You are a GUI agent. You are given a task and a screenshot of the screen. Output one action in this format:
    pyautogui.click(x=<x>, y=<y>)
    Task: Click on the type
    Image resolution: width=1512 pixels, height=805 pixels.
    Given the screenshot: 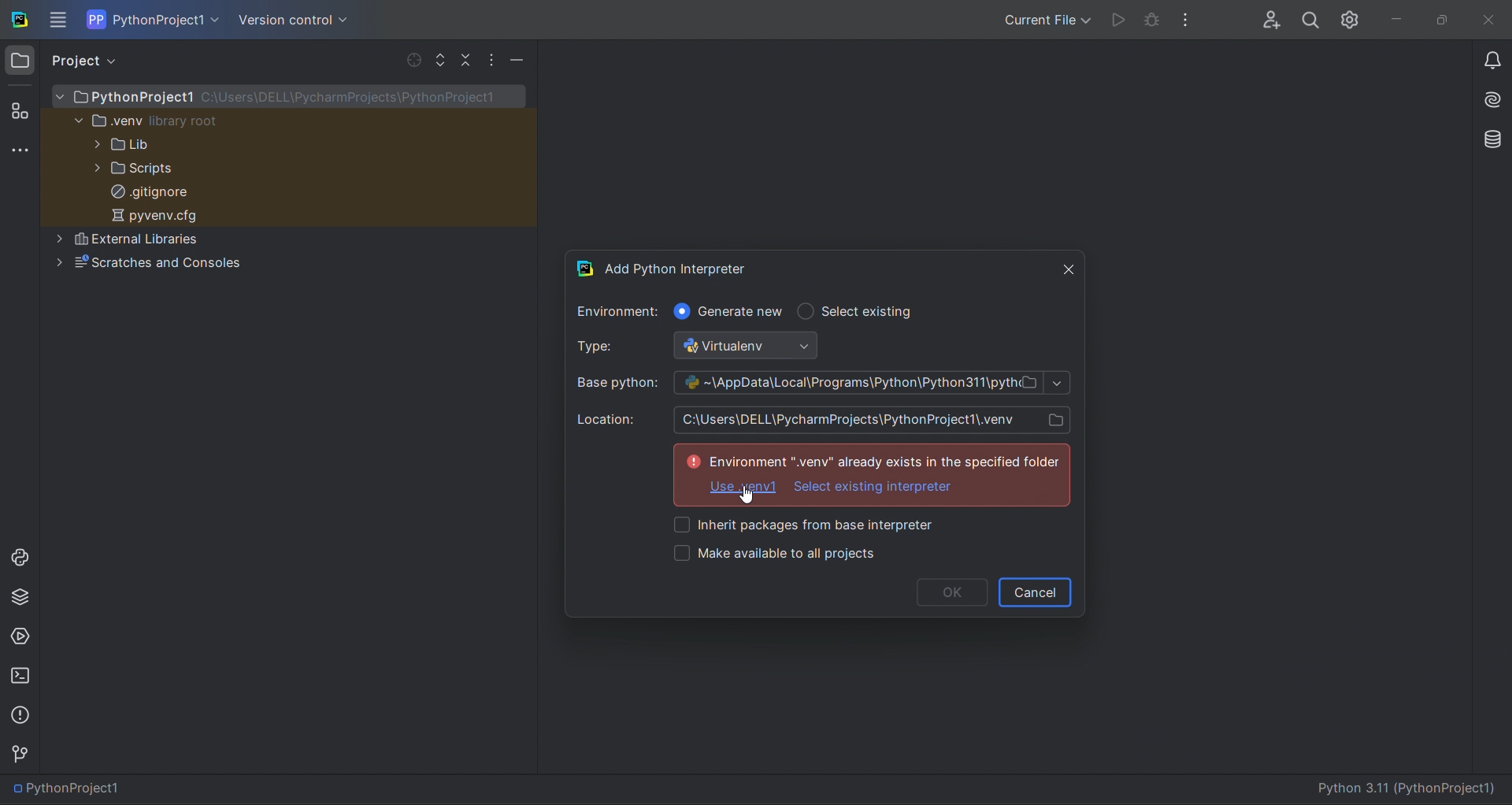 What is the action you would take?
    pyautogui.click(x=713, y=347)
    